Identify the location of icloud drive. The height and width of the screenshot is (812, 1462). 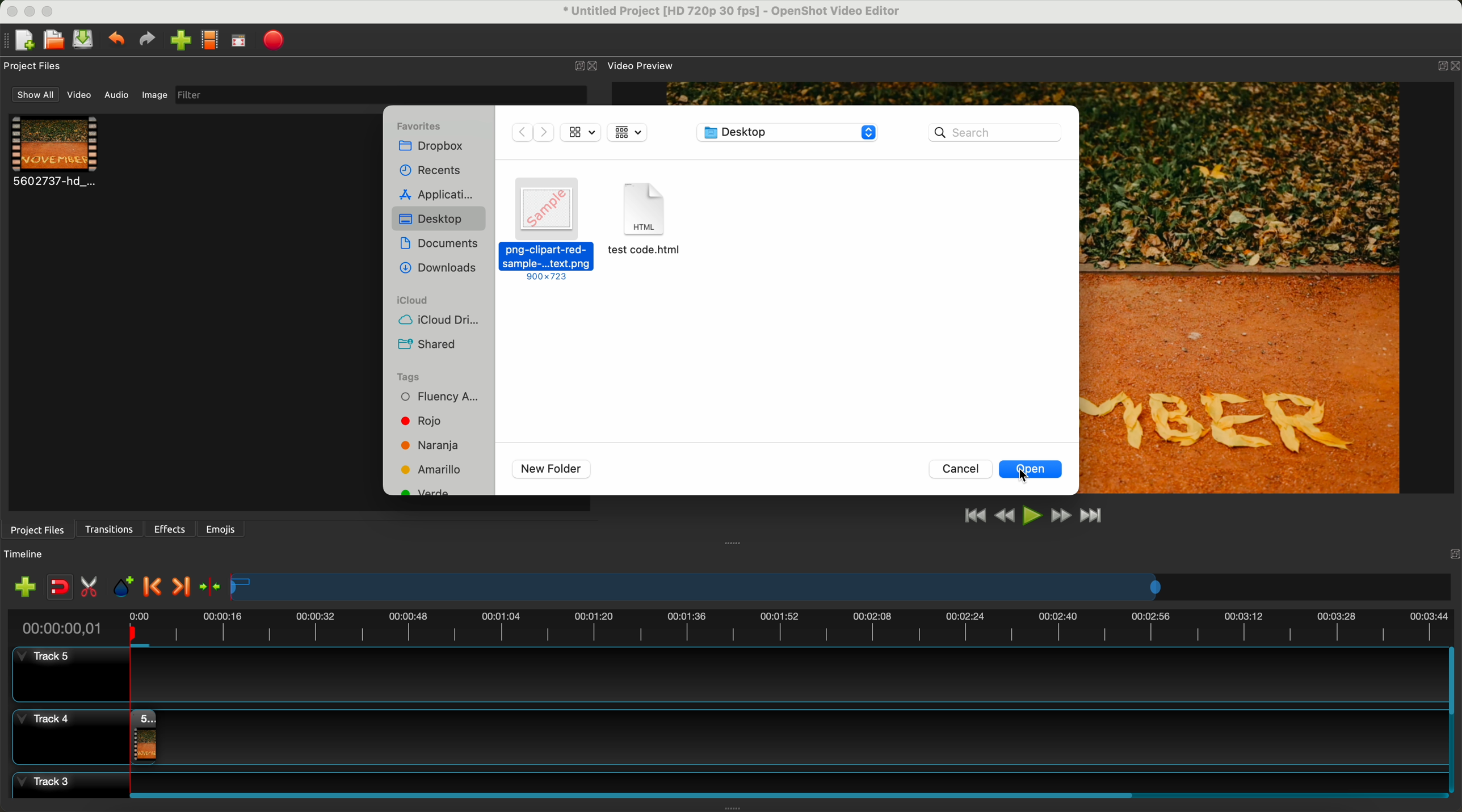
(445, 321).